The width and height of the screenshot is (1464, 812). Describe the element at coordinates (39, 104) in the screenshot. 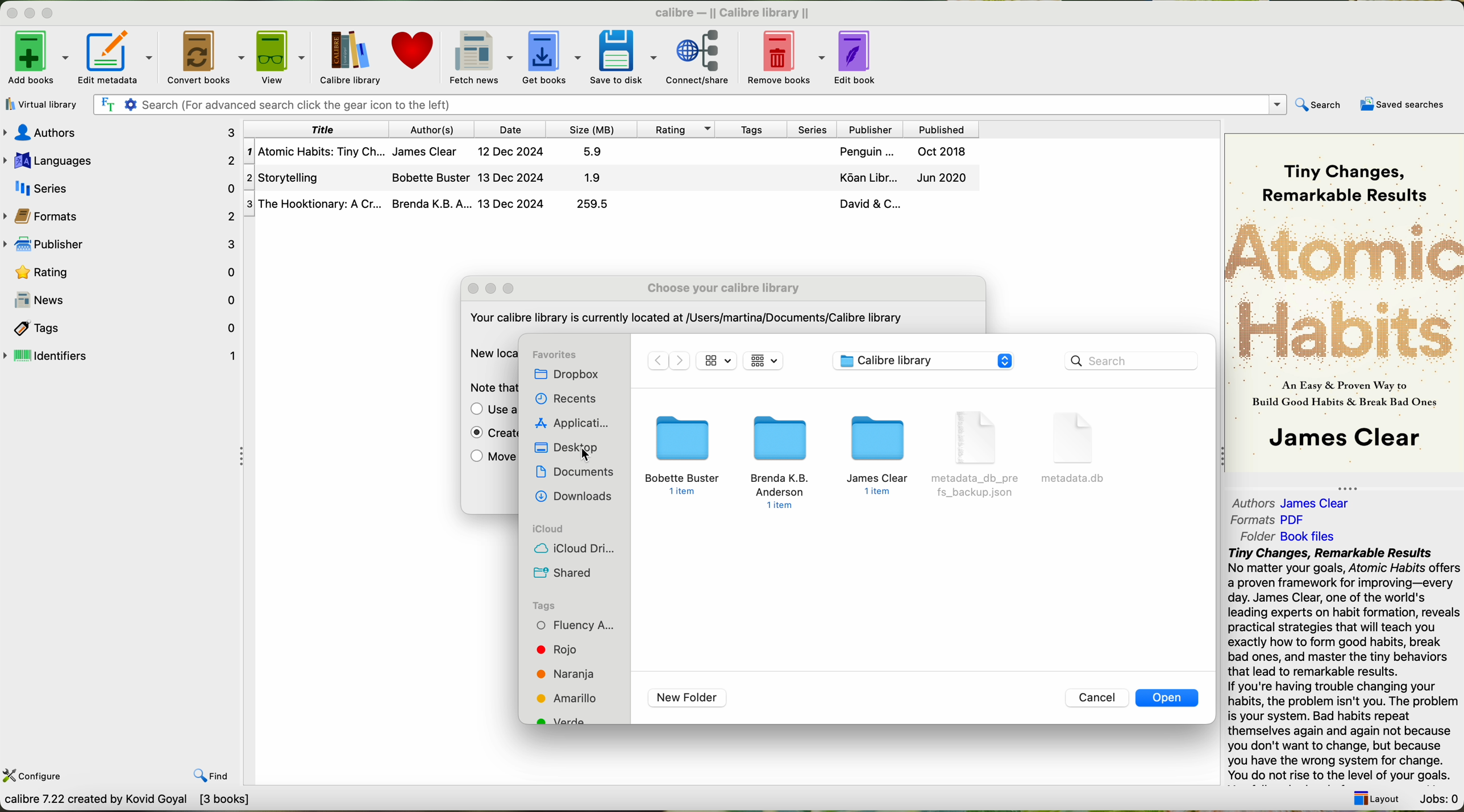

I see `virtual library` at that location.